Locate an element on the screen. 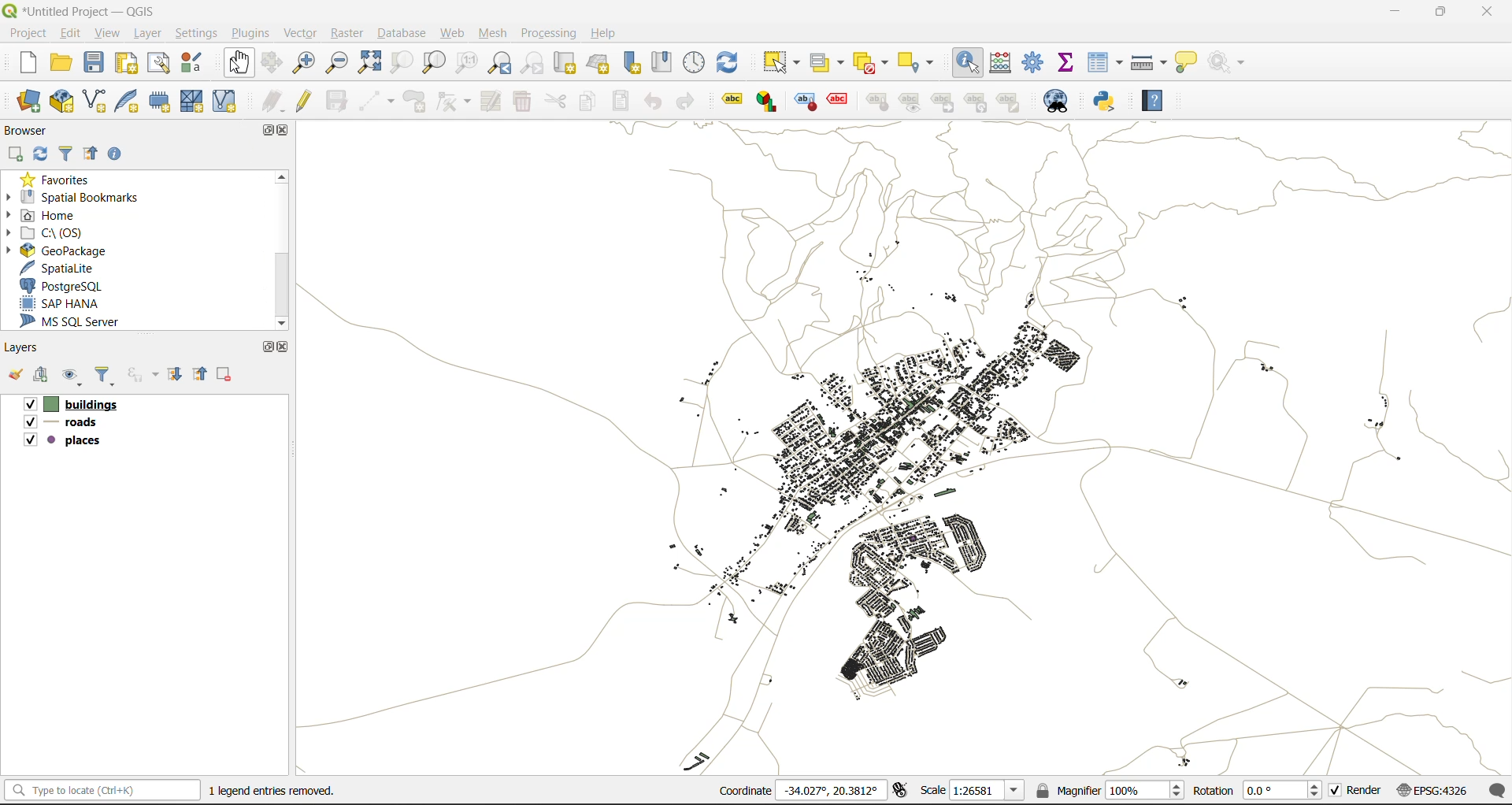 The width and height of the screenshot is (1512, 805). paste is located at coordinates (621, 100).